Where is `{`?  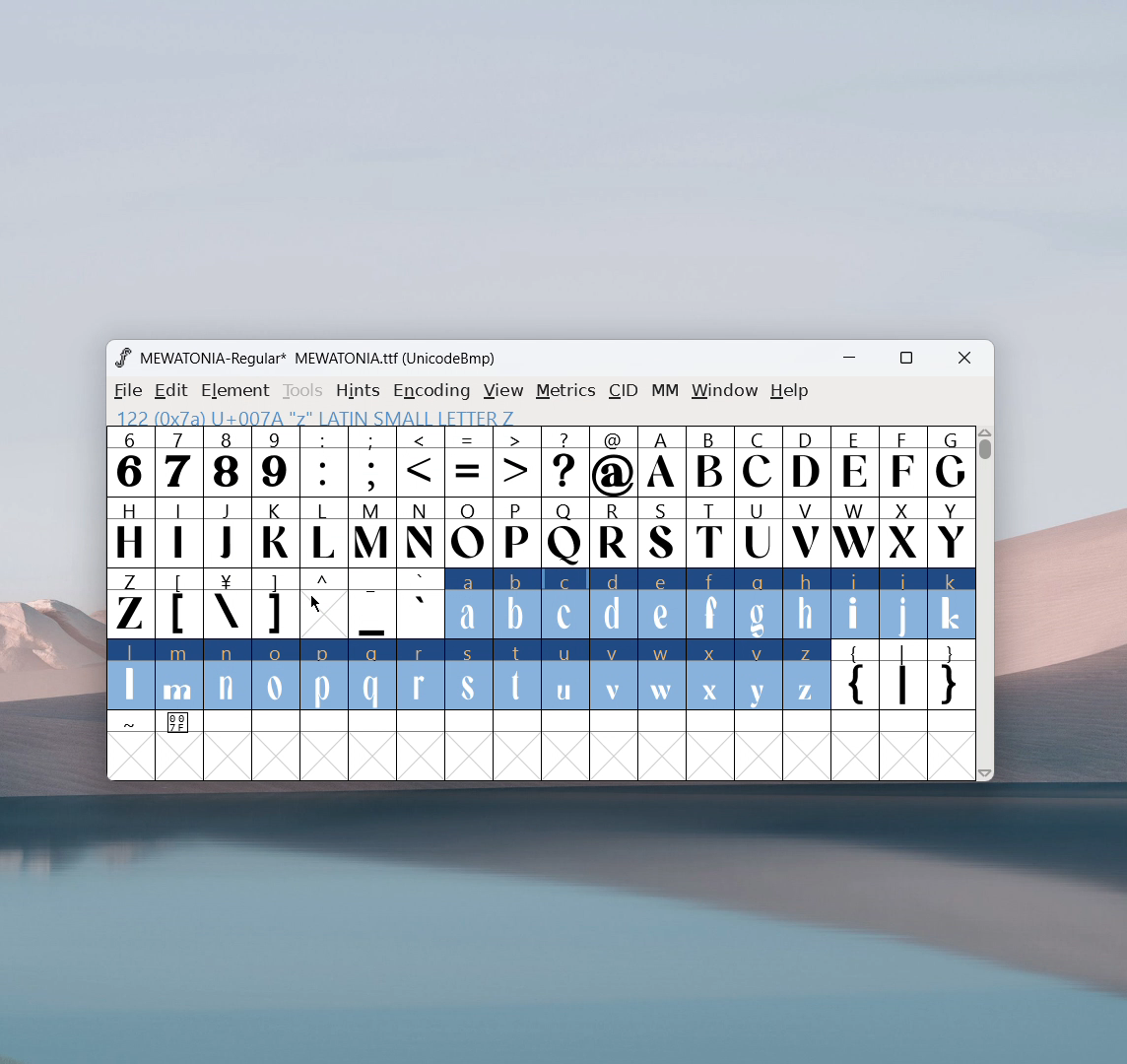 { is located at coordinates (854, 677).